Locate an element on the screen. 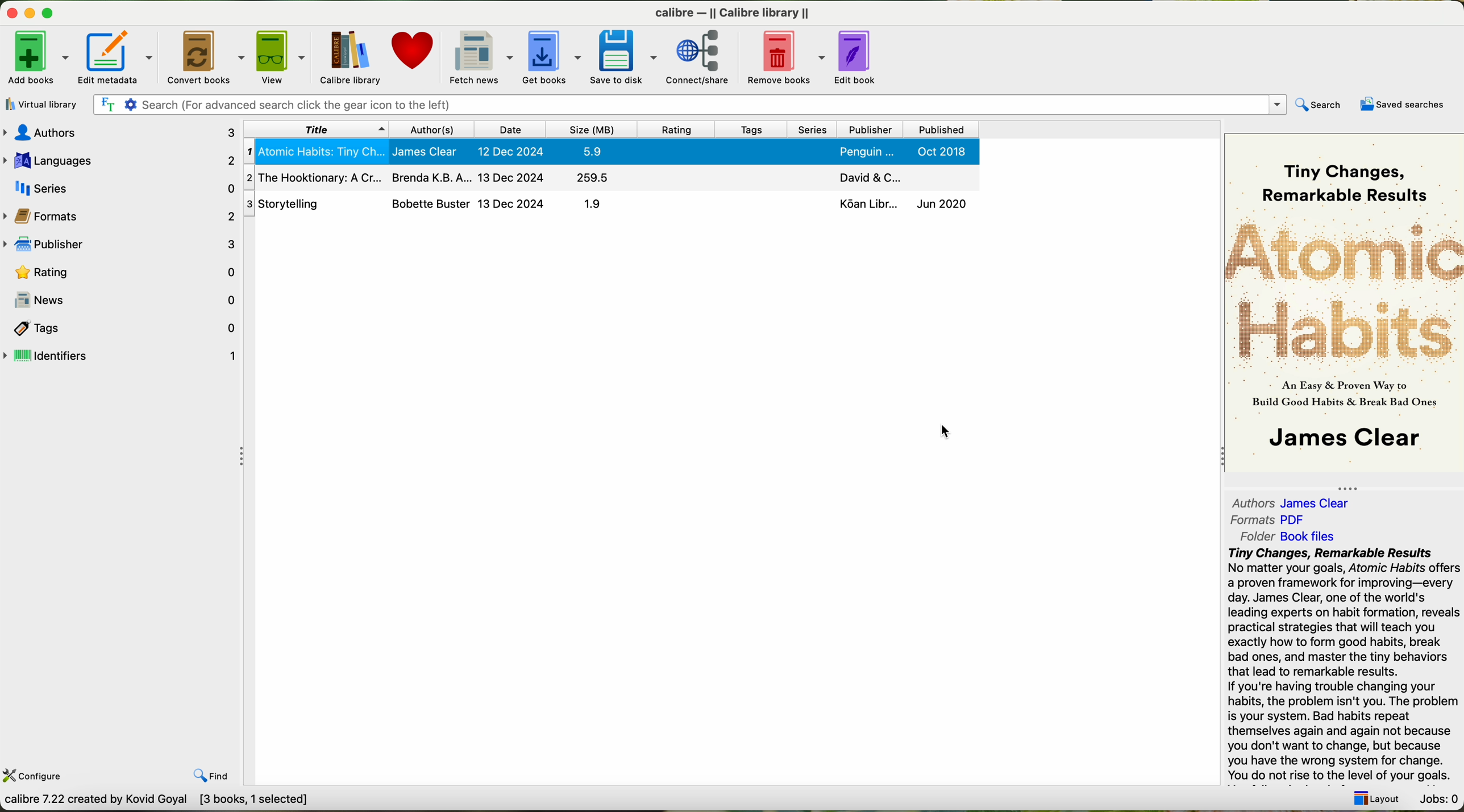  David & C... is located at coordinates (897, 178).